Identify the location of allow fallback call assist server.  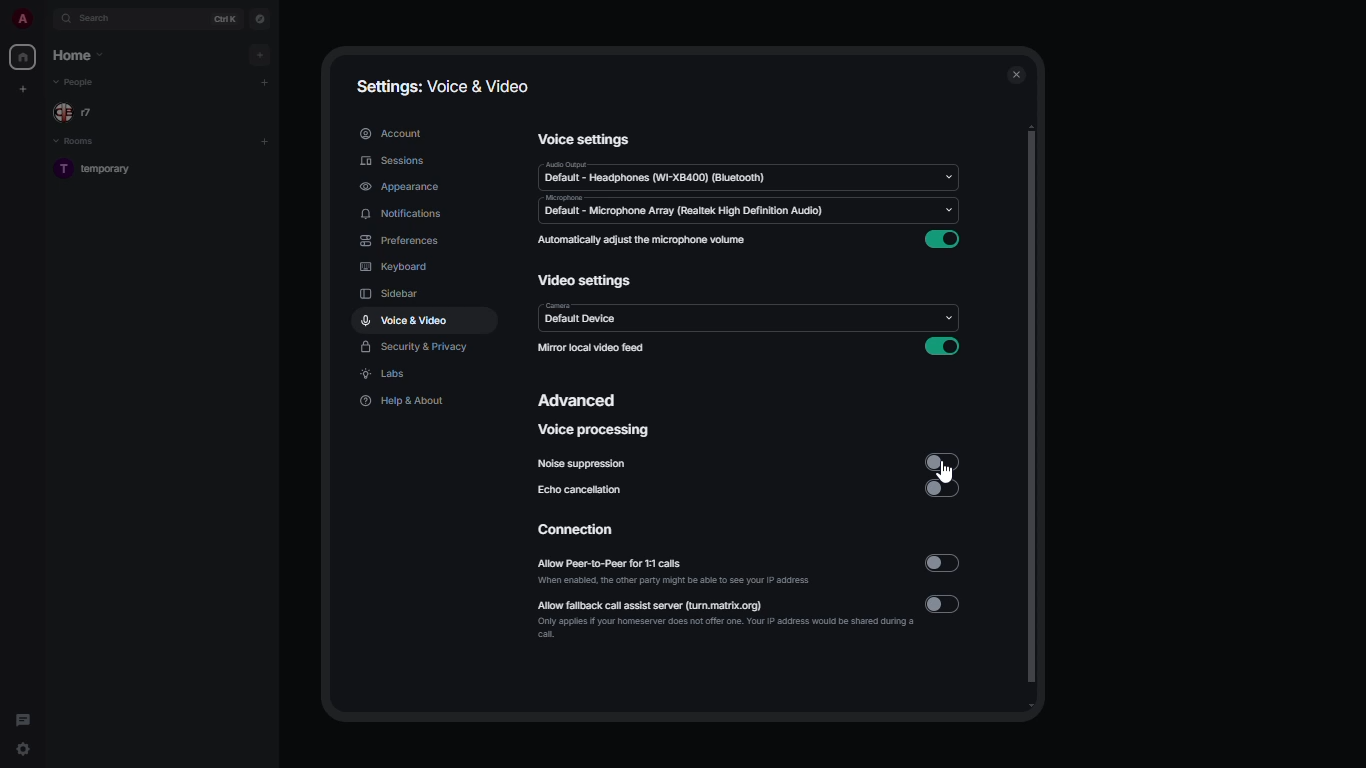
(720, 618).